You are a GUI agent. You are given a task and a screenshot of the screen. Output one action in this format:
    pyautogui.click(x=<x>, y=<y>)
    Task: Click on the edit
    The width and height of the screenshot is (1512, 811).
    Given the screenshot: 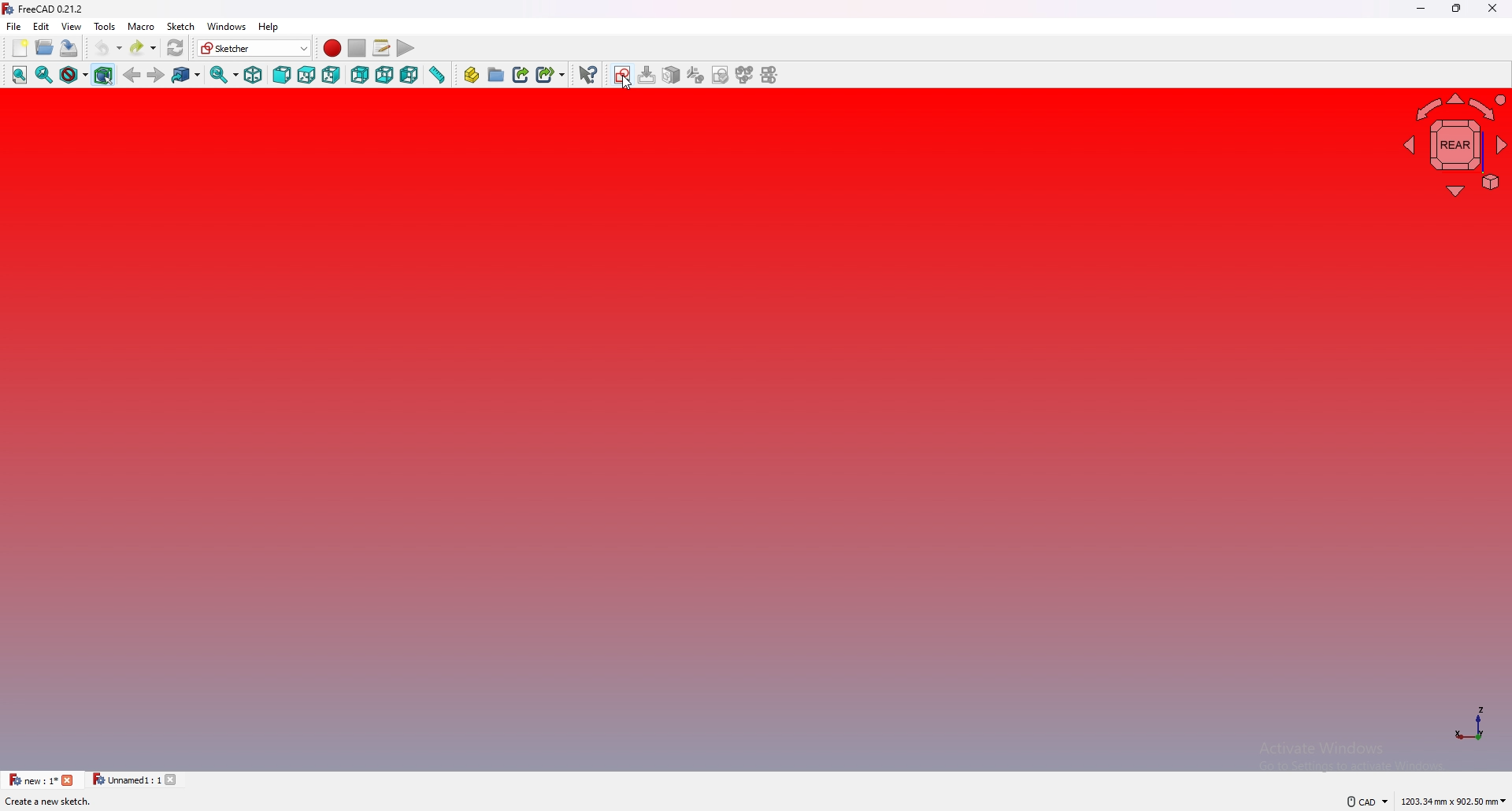 What is the action you would take?
    pyautogui.click(x=44, y=26)
    